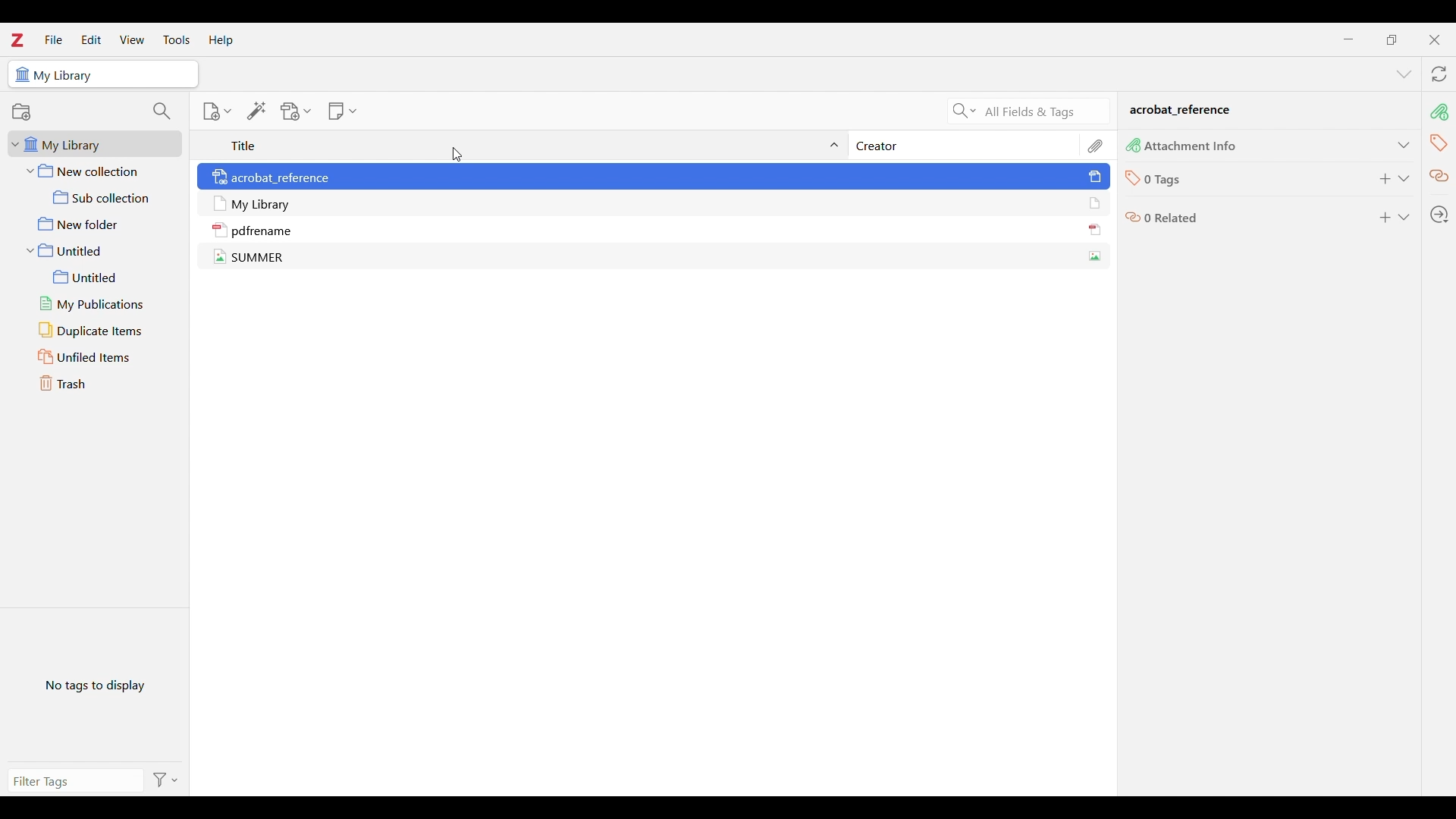 Image resolution: width=1456 pixels, height=819 pixels. Describe the element at coordinates (66, 76) in the screenshot. I see `My Library` at that location.